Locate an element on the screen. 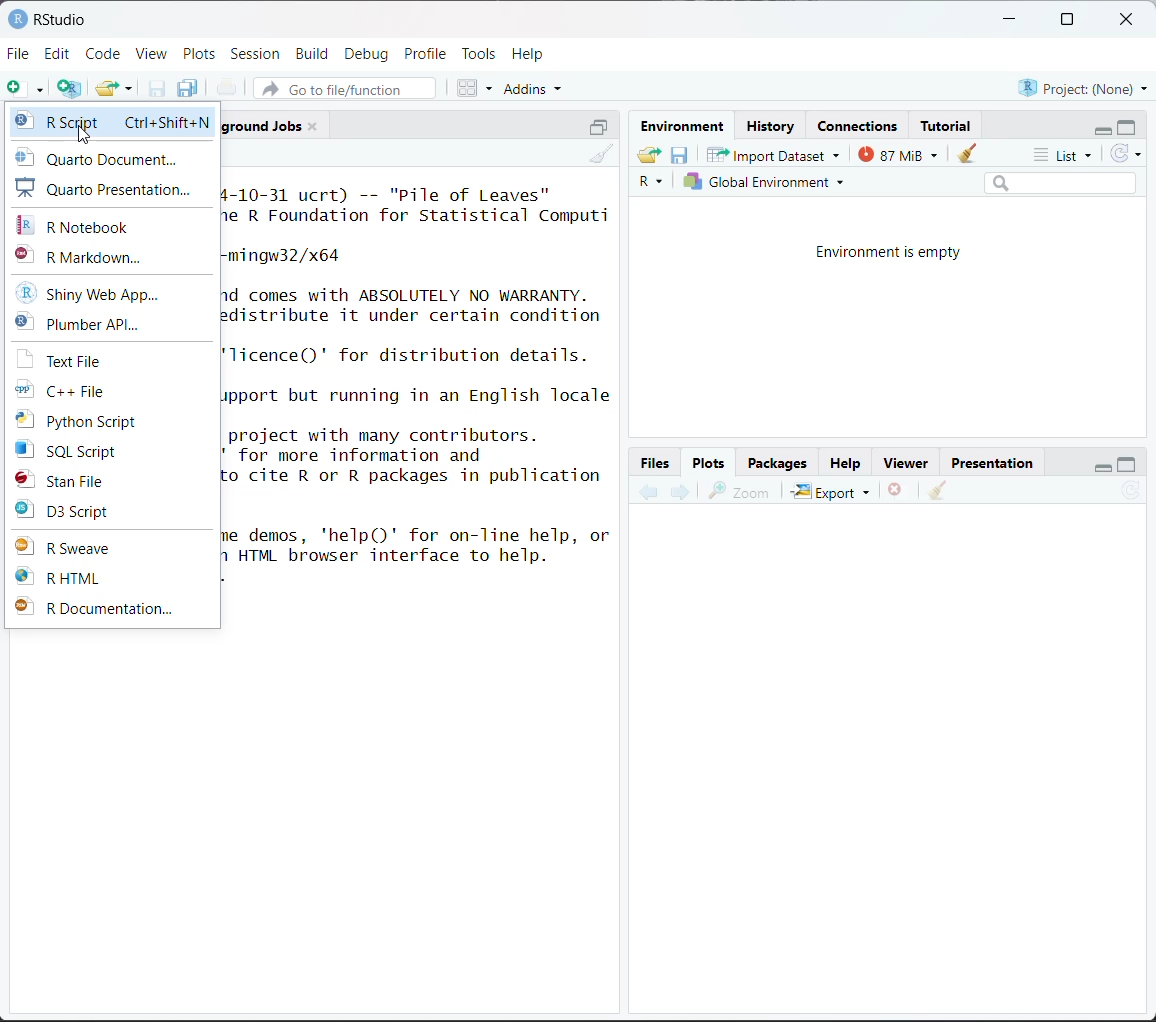  clear objects from workspace is located at coordinates (969, 150).